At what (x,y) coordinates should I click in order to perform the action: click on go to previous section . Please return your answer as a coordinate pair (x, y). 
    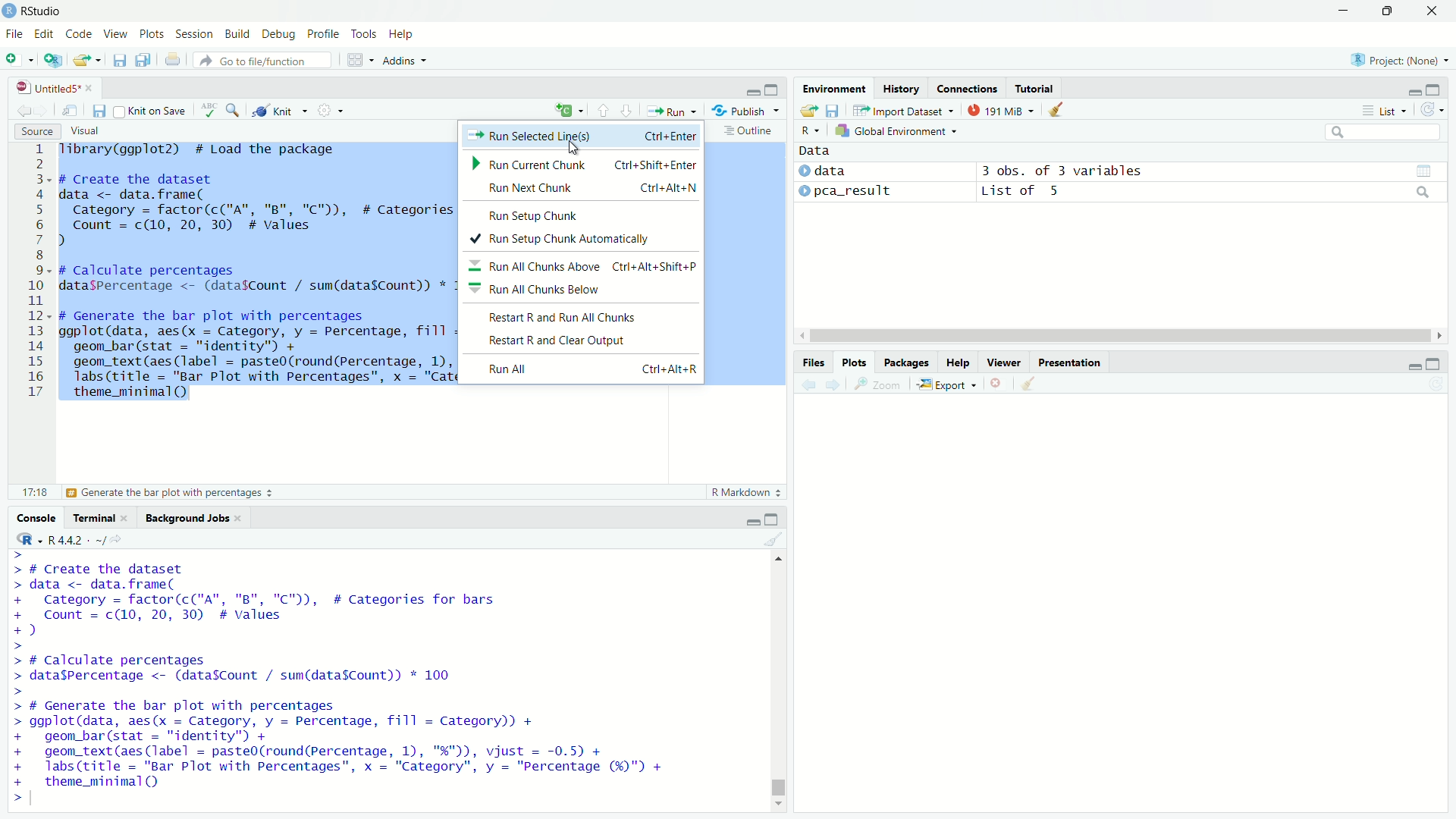
    Looking at the image, I should click on (604, 111).